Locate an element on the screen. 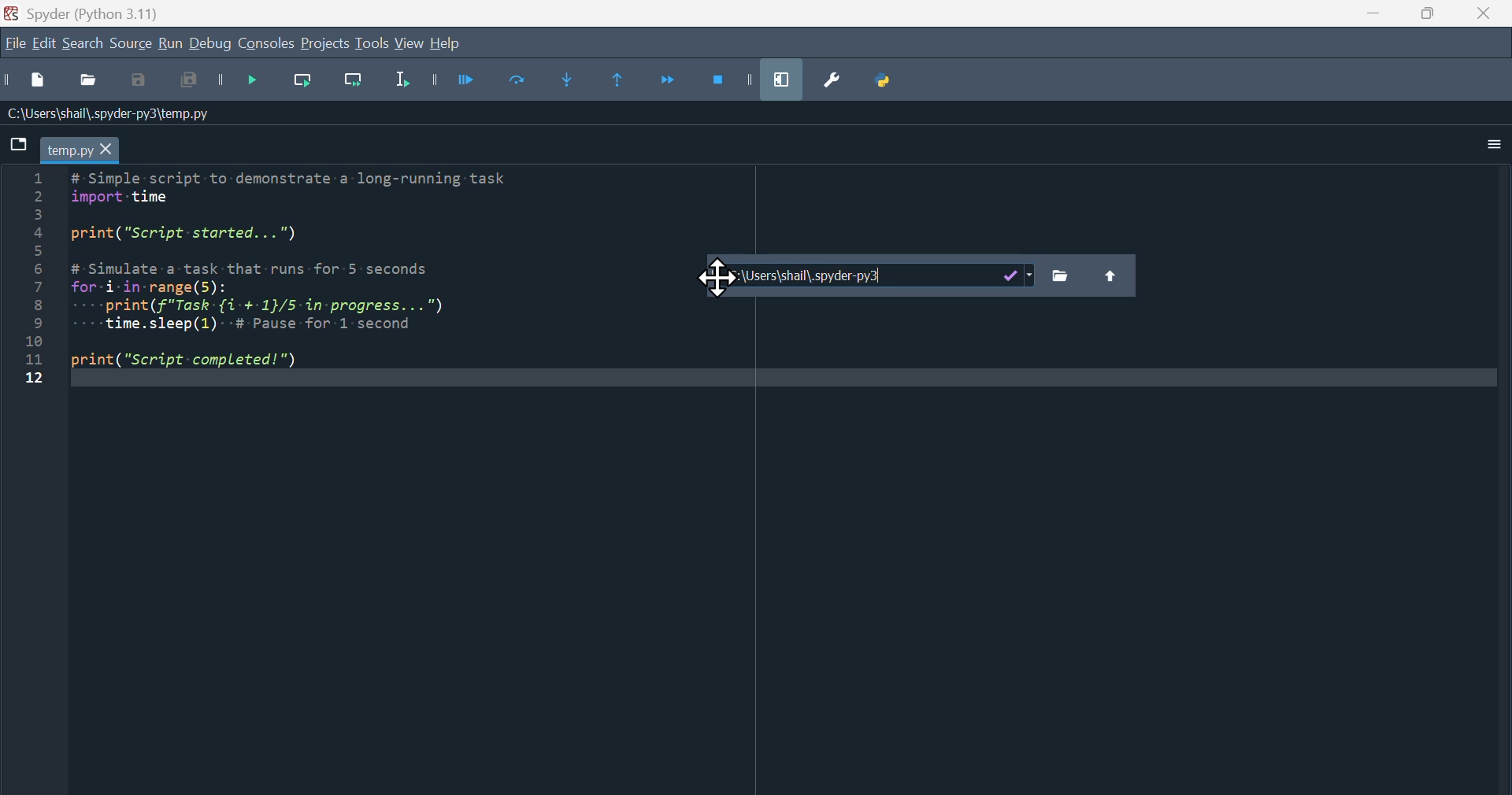  Stop debugging is located at coordinates (733, 78).